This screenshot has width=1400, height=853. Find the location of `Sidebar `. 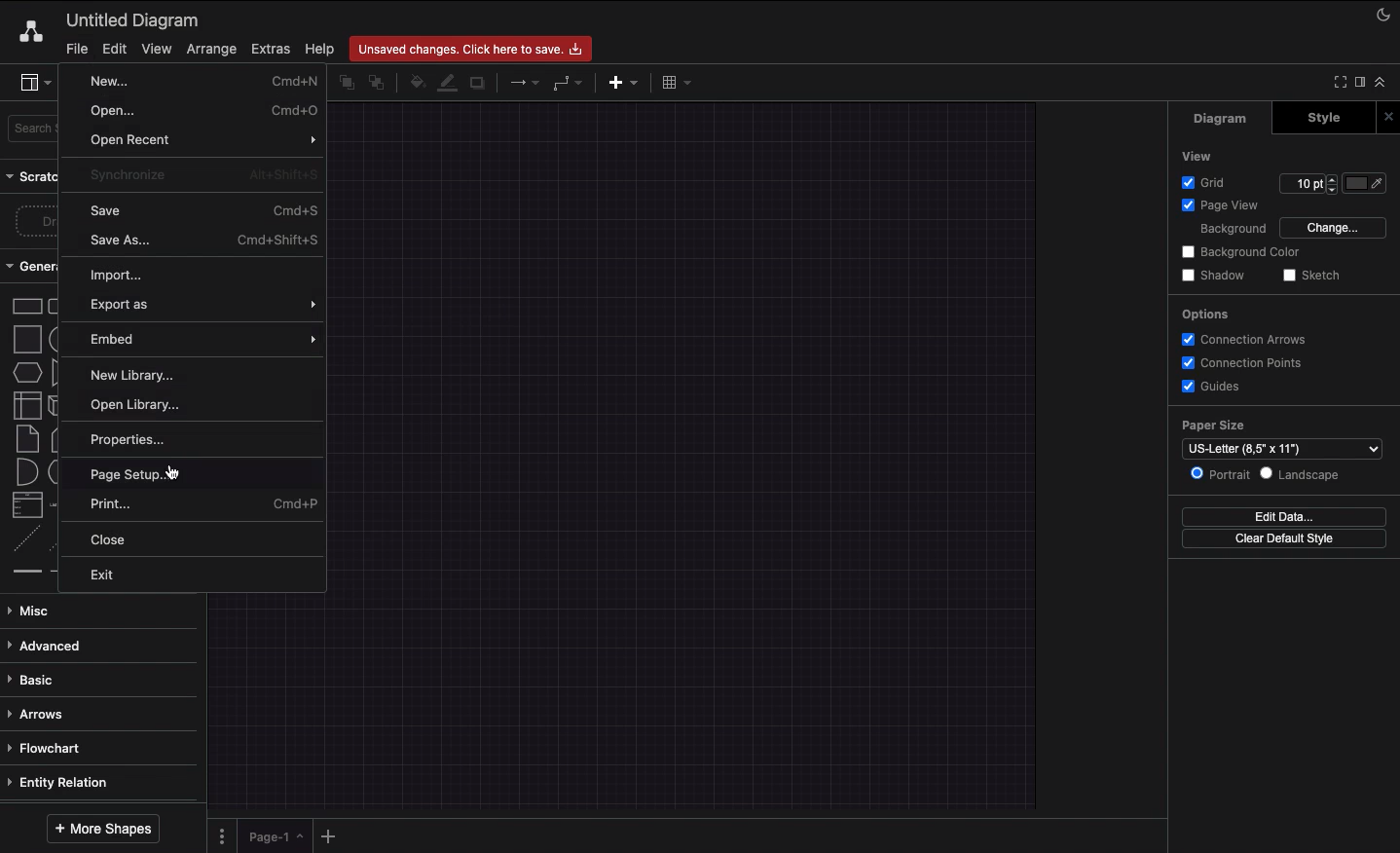

Sidebar  is located at coordinates (35, 84).